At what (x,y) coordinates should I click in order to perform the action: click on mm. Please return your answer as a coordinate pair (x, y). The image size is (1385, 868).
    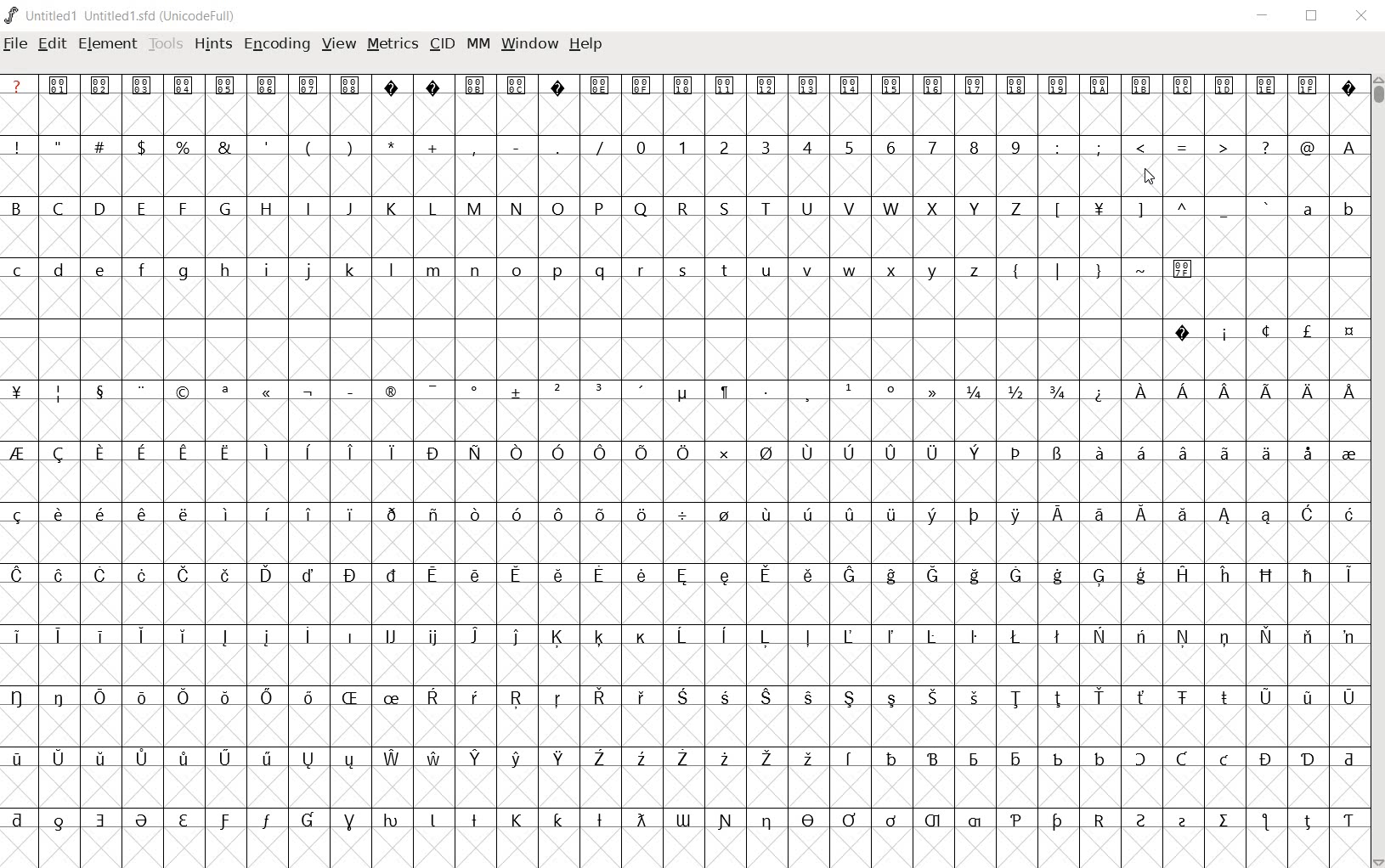
    Looking at the image, I should click on (477, 45).